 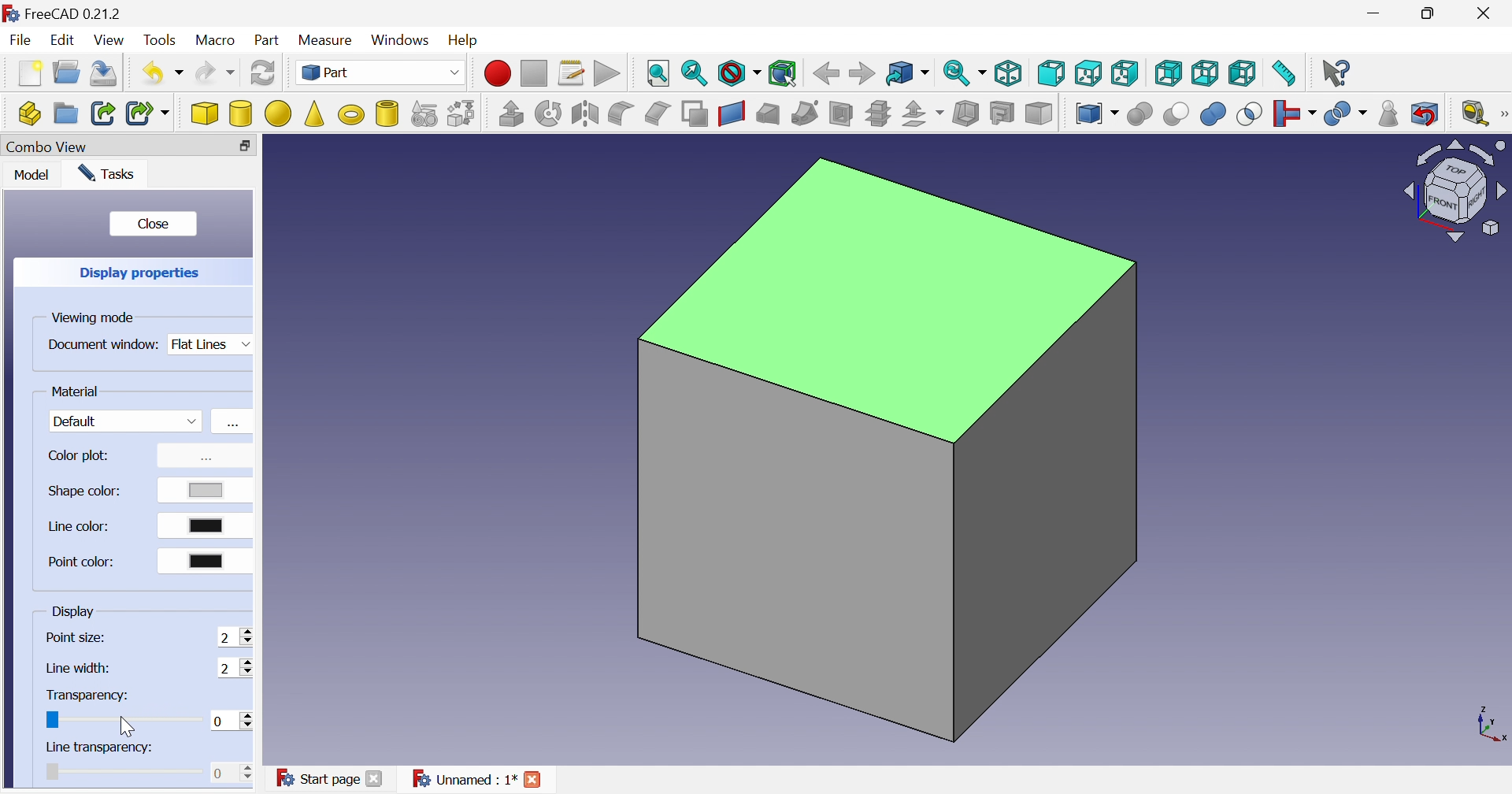 What do you see at coordinates (573, 74) in the screenshot?
I see `Macros` at bounding box center [573, 74].